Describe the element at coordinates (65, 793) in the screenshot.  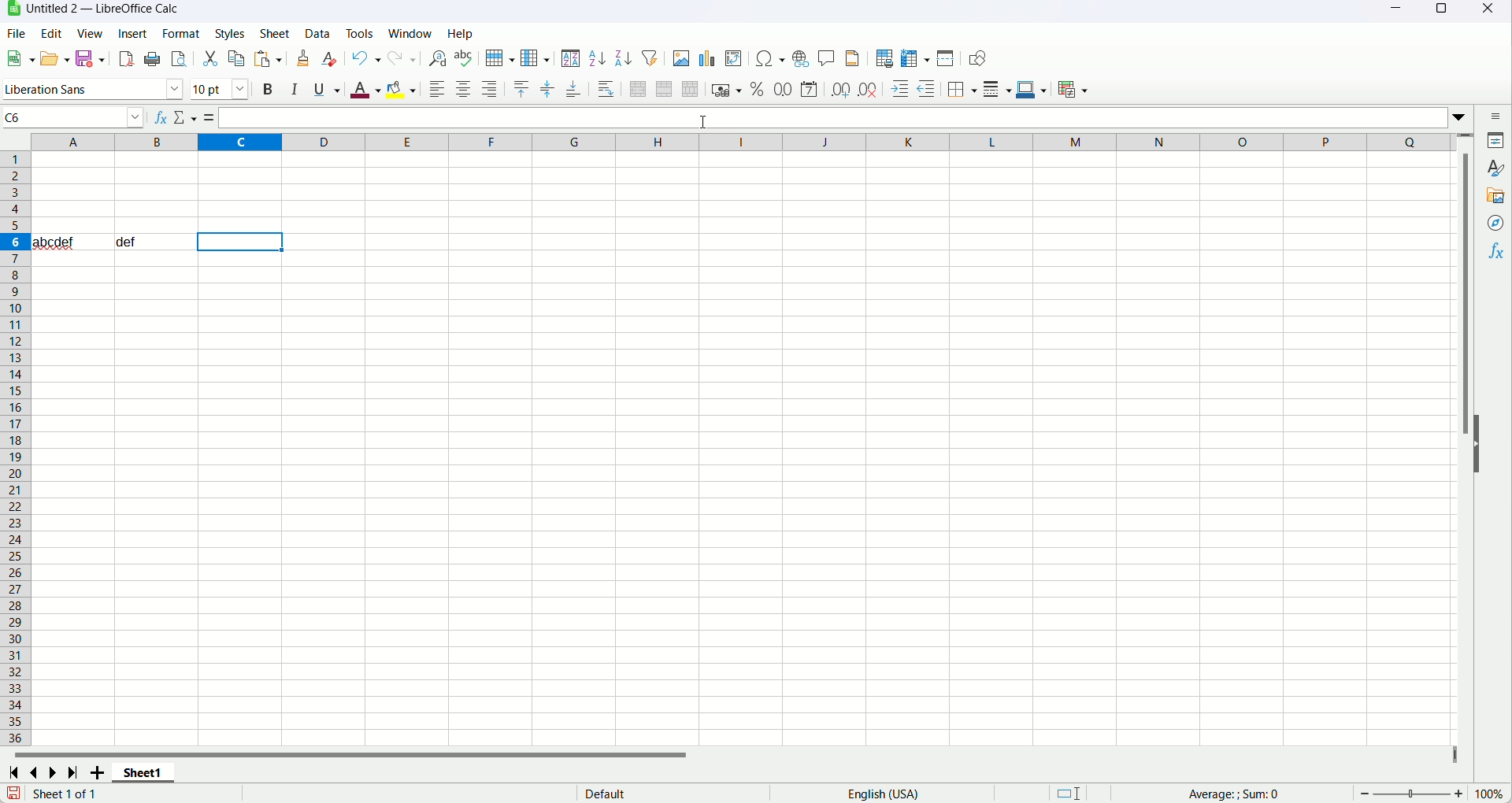
I see `sheet 1 of 1` at that location.